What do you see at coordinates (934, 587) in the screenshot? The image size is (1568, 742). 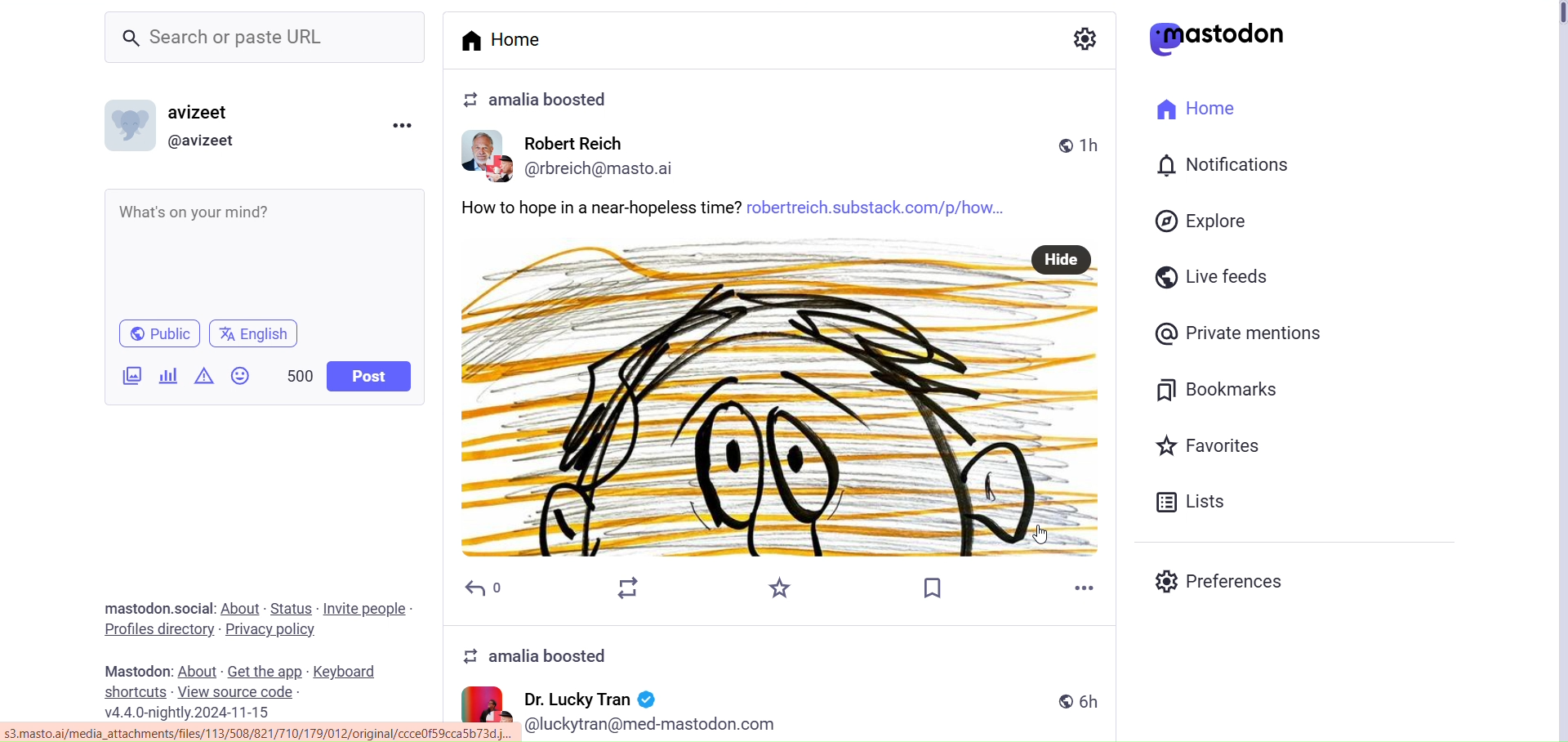 I see `Bookmark` at bounding box center [934, 587].